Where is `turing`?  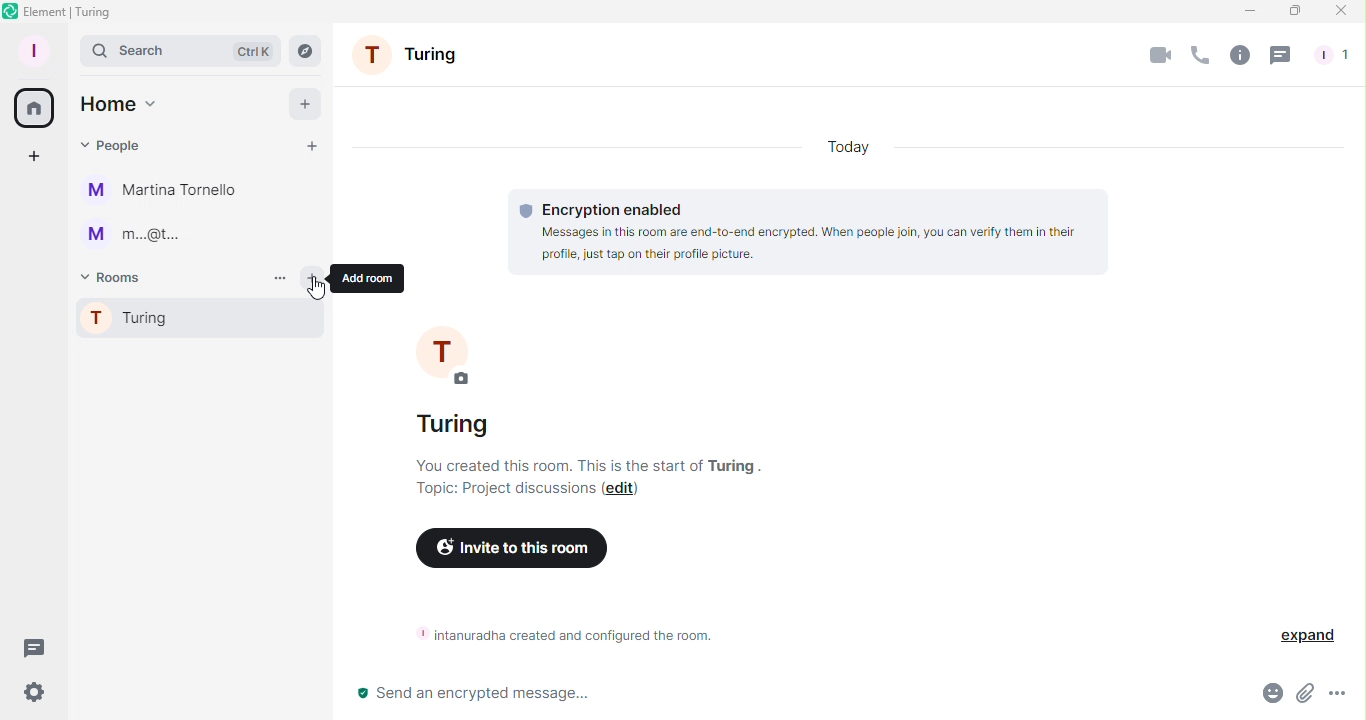 turing is located at coordinates (453, 427).